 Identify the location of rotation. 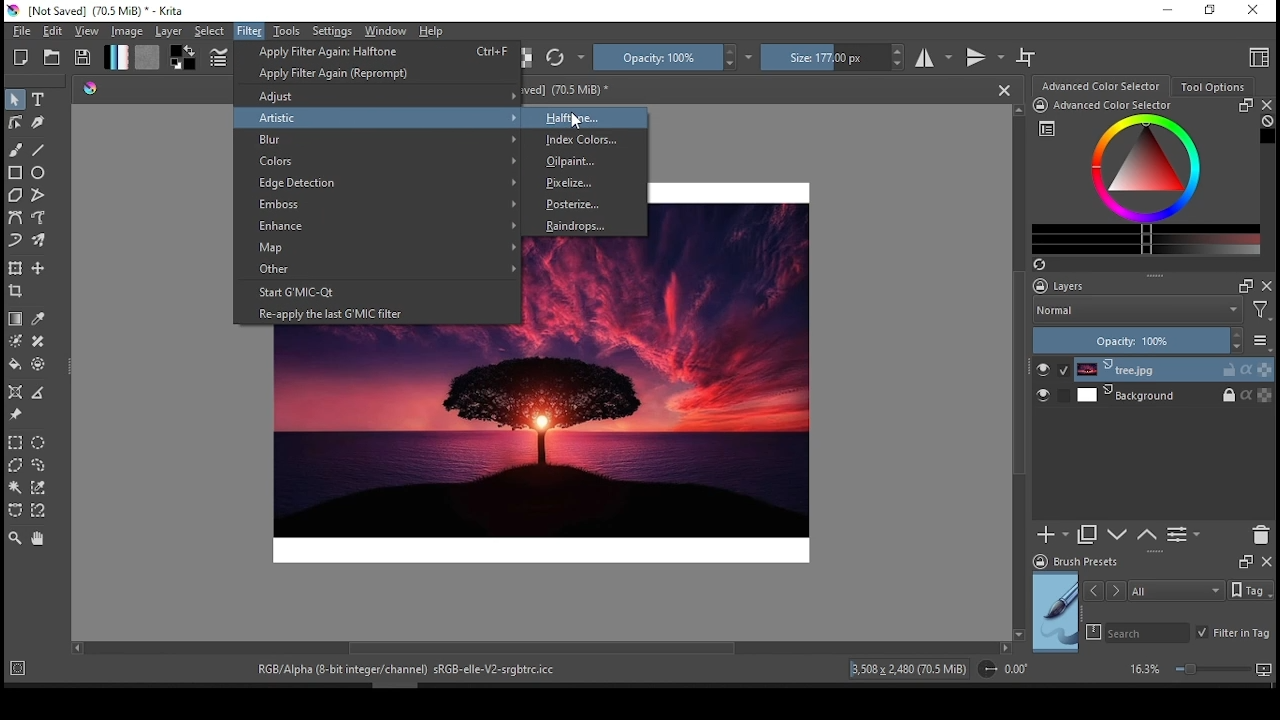
(1004, 670).